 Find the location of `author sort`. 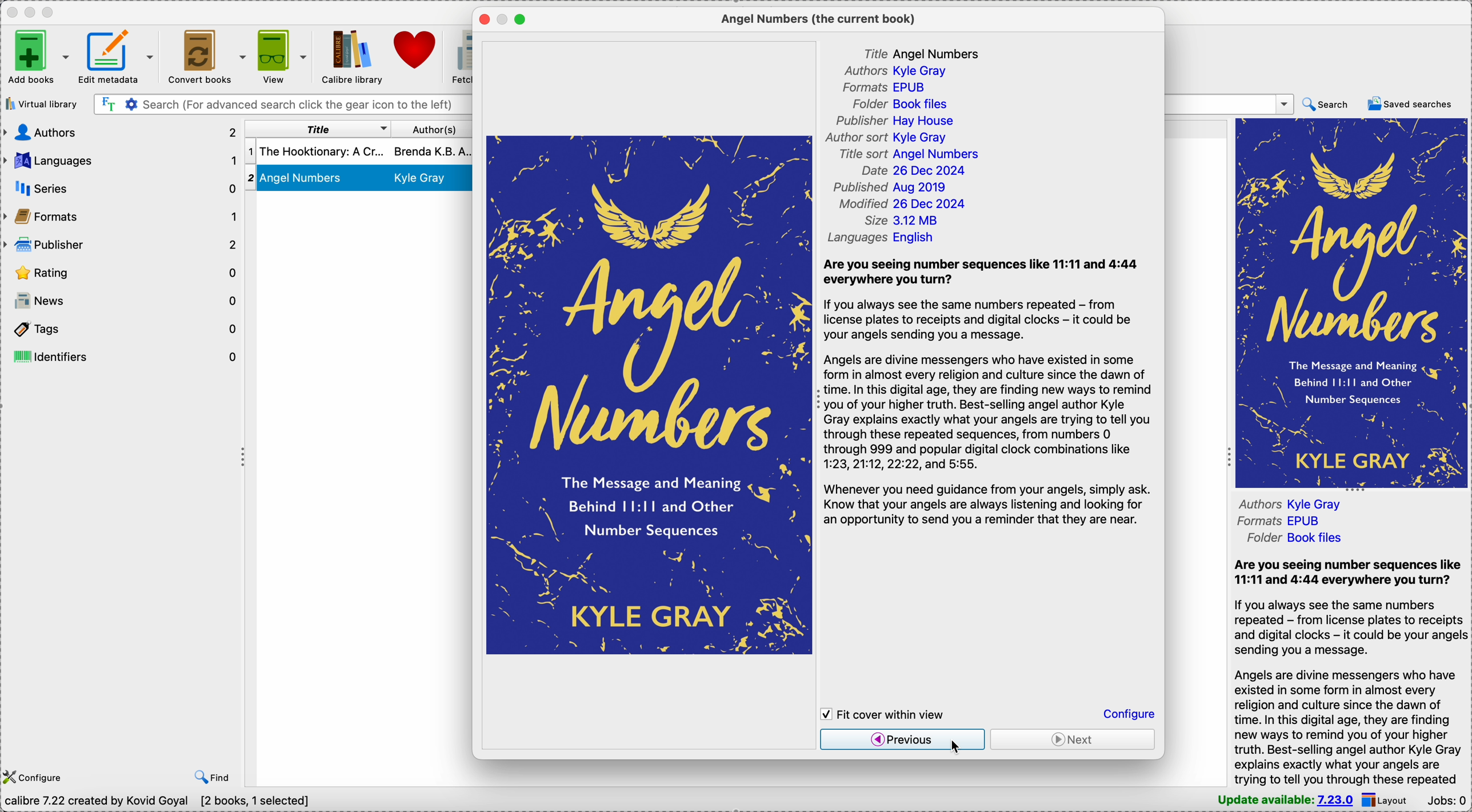

author sort is located at coordinates (890, 137).